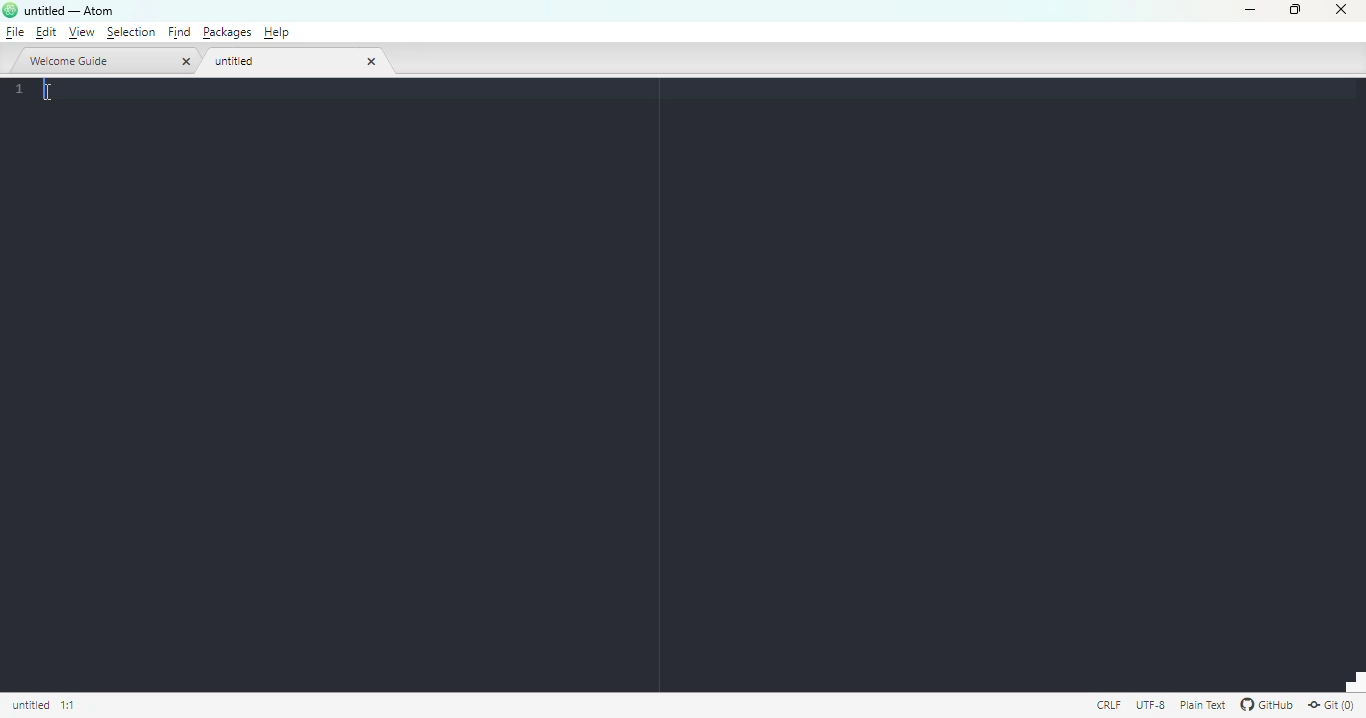  Describe the element at coordinates (70, 11) in the screenshot. I see `title` at that location.